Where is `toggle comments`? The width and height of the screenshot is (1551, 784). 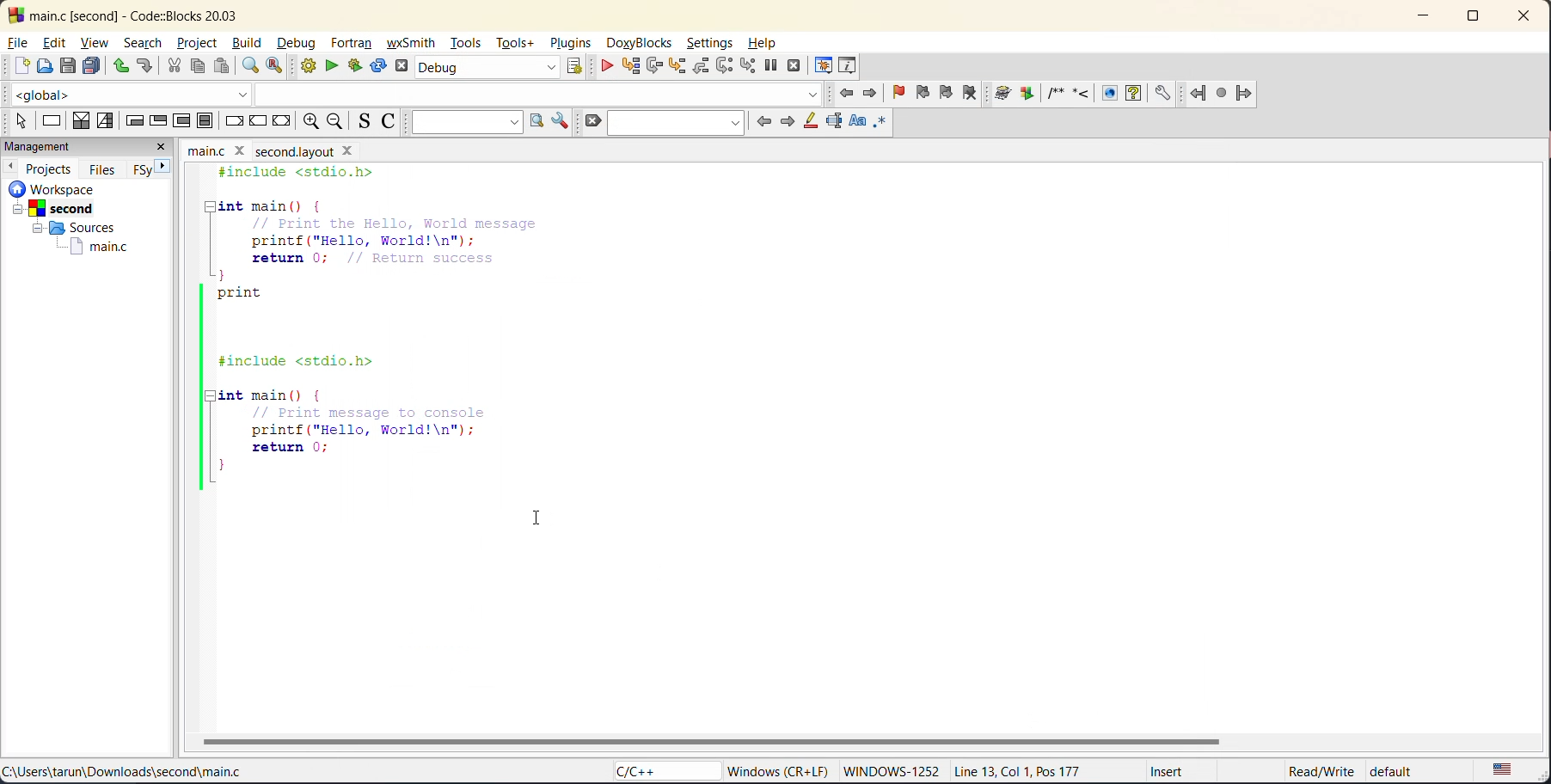
toggle comments is located at coordinates (394, 121).